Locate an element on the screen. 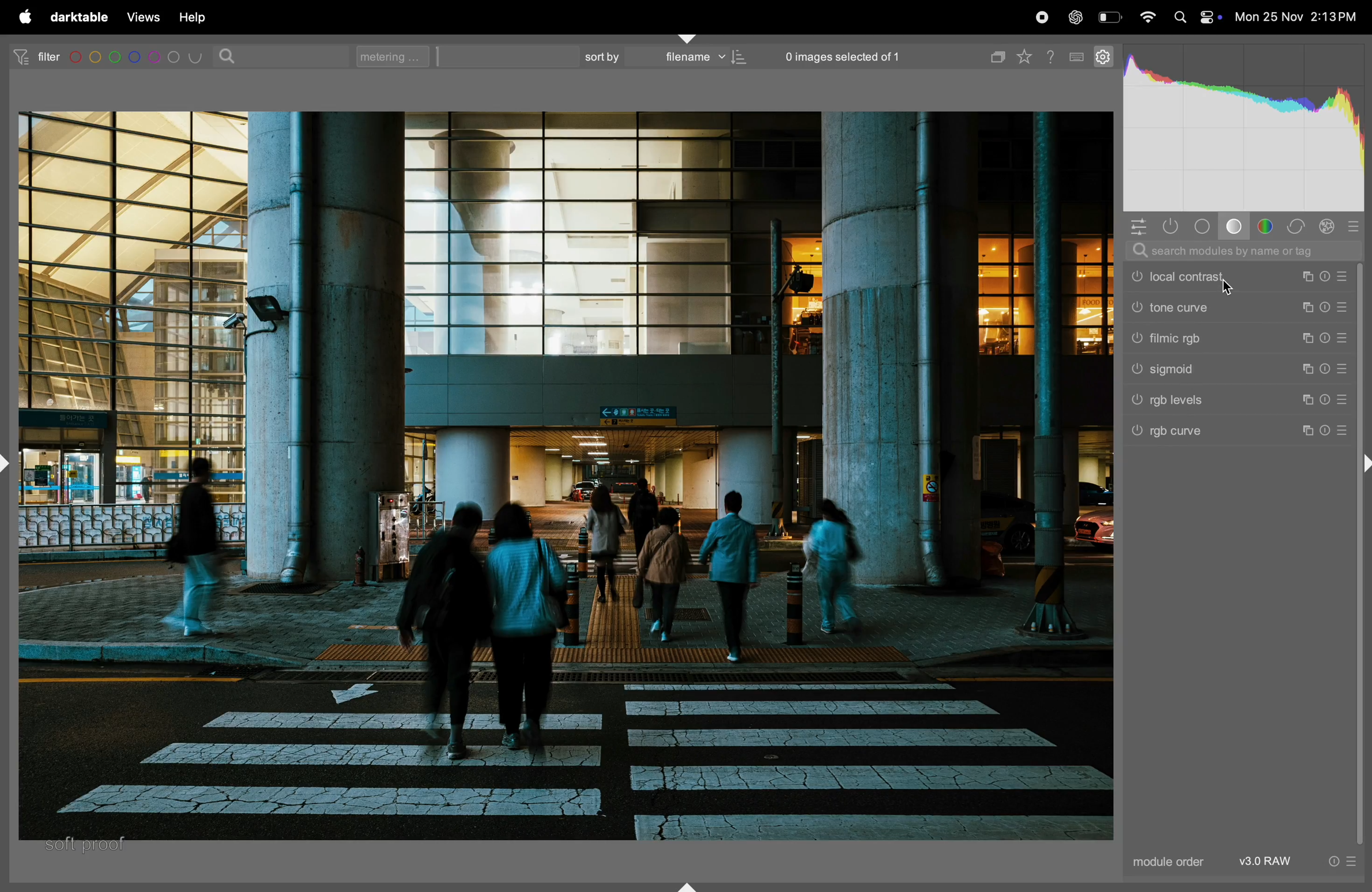  rgb levels is located at coordinates (1232, 400).